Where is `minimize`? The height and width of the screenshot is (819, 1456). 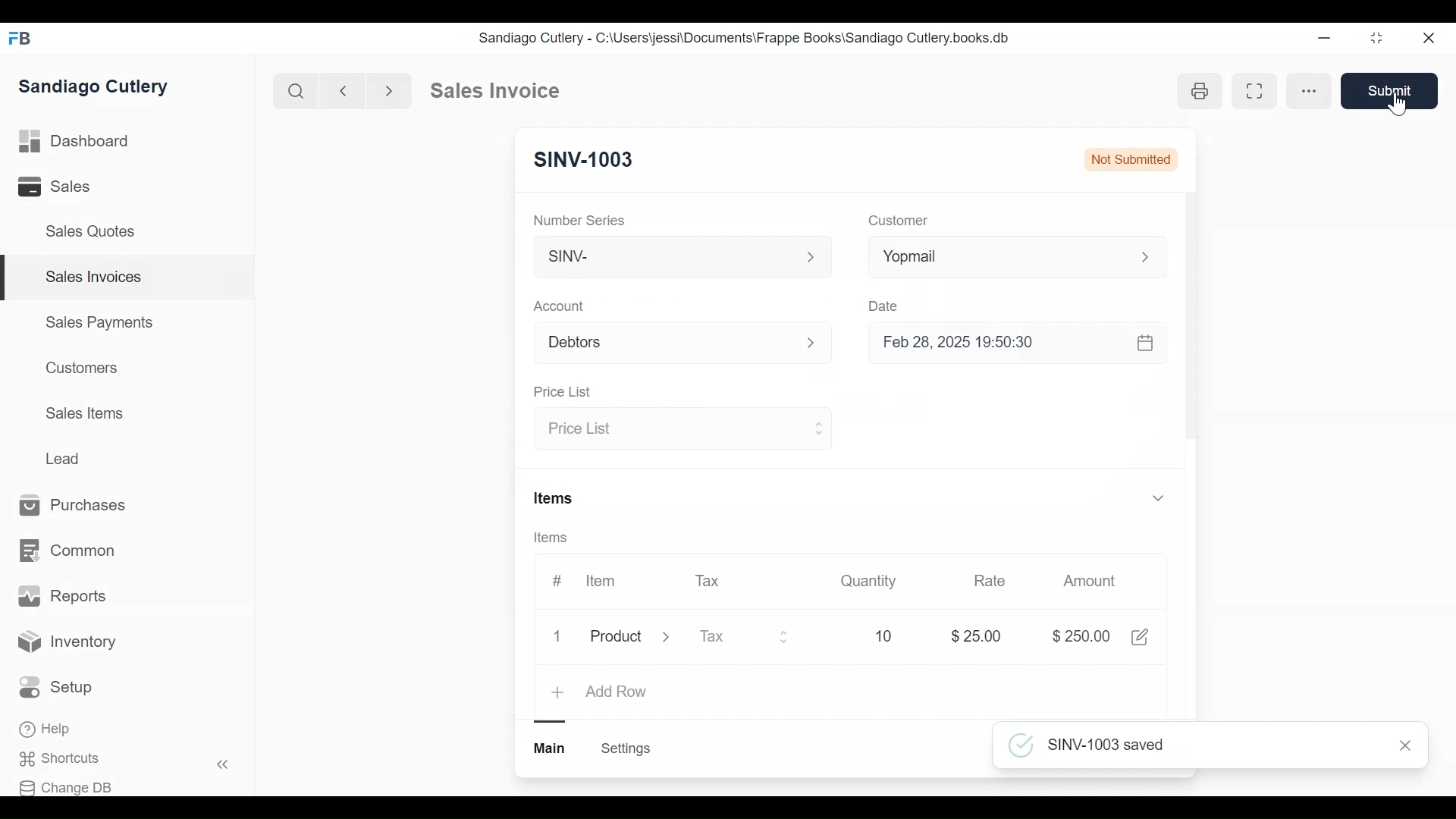
minimize is located at coordinates (1324, 37).